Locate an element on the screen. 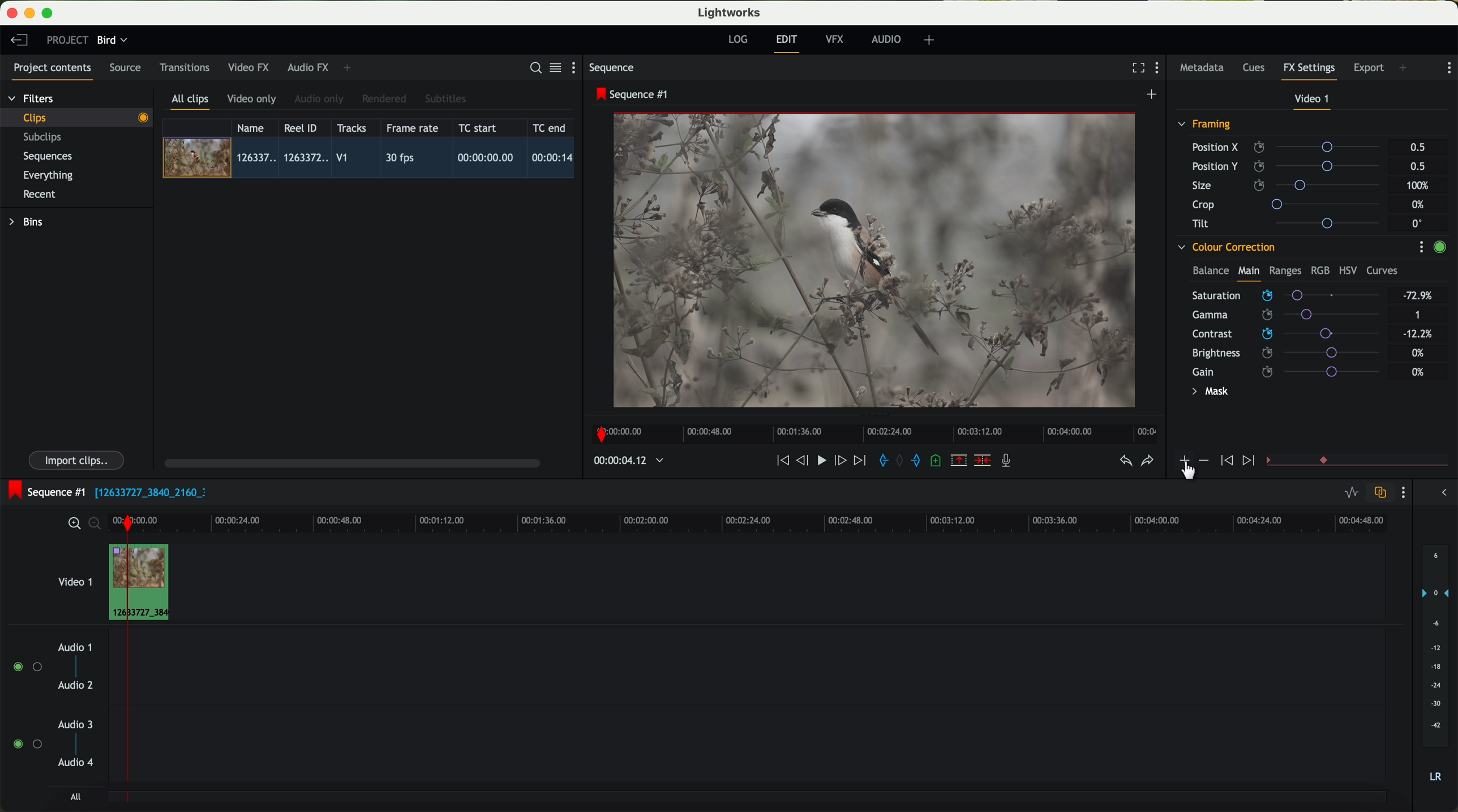  name is located at coordinates (255, 128).